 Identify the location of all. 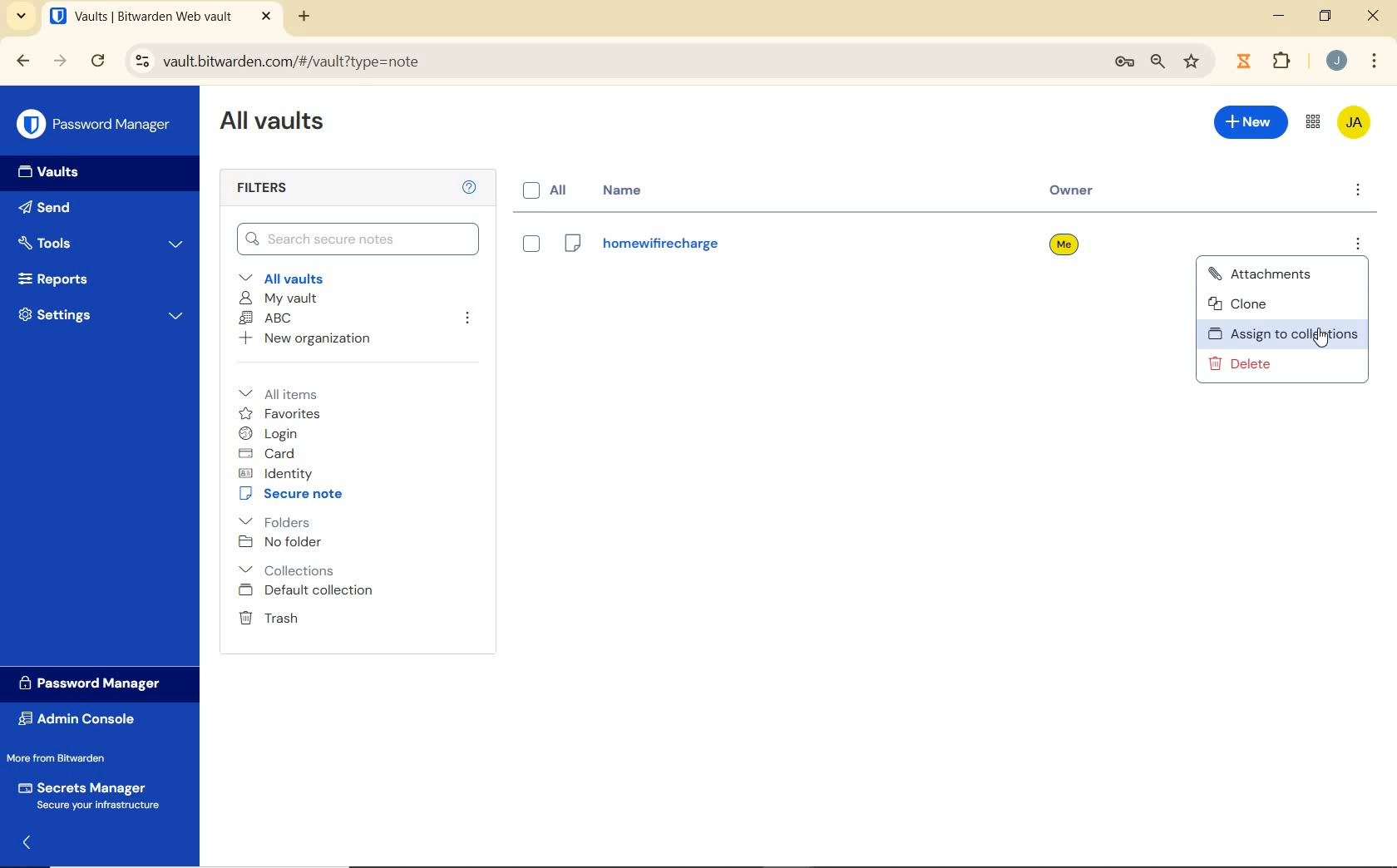
(549, 191).